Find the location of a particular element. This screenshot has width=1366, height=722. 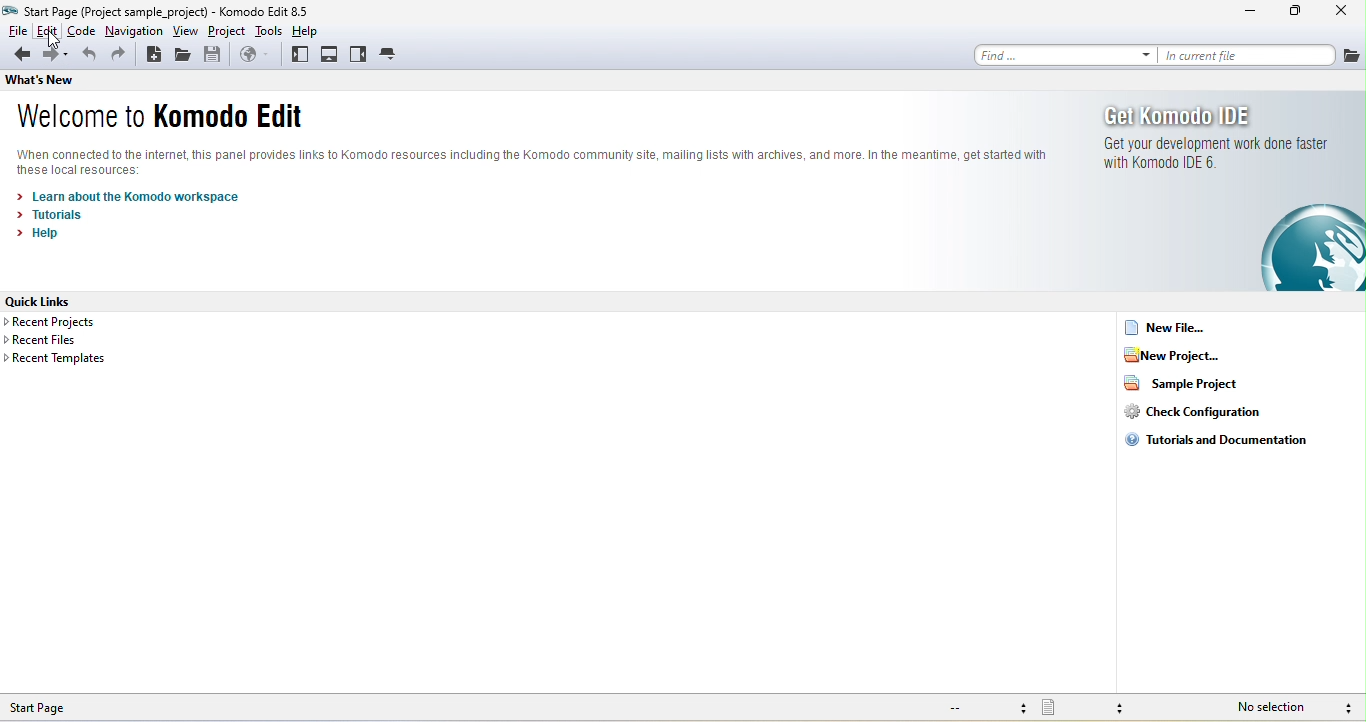

learn about the komodo workspace is located at coordinates (128, 198).